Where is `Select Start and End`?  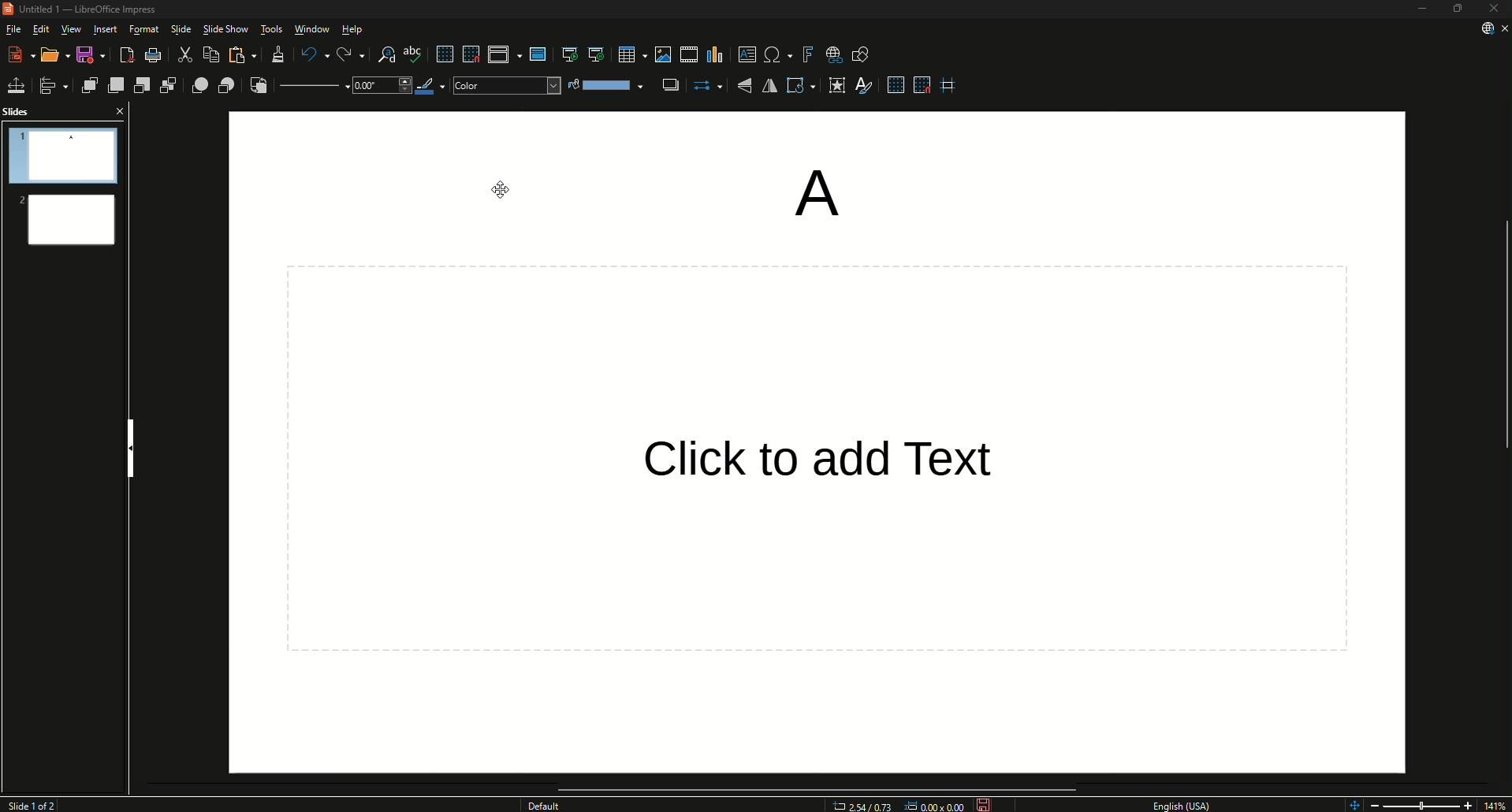
Select Start and End is located at coordinates (708, 88).